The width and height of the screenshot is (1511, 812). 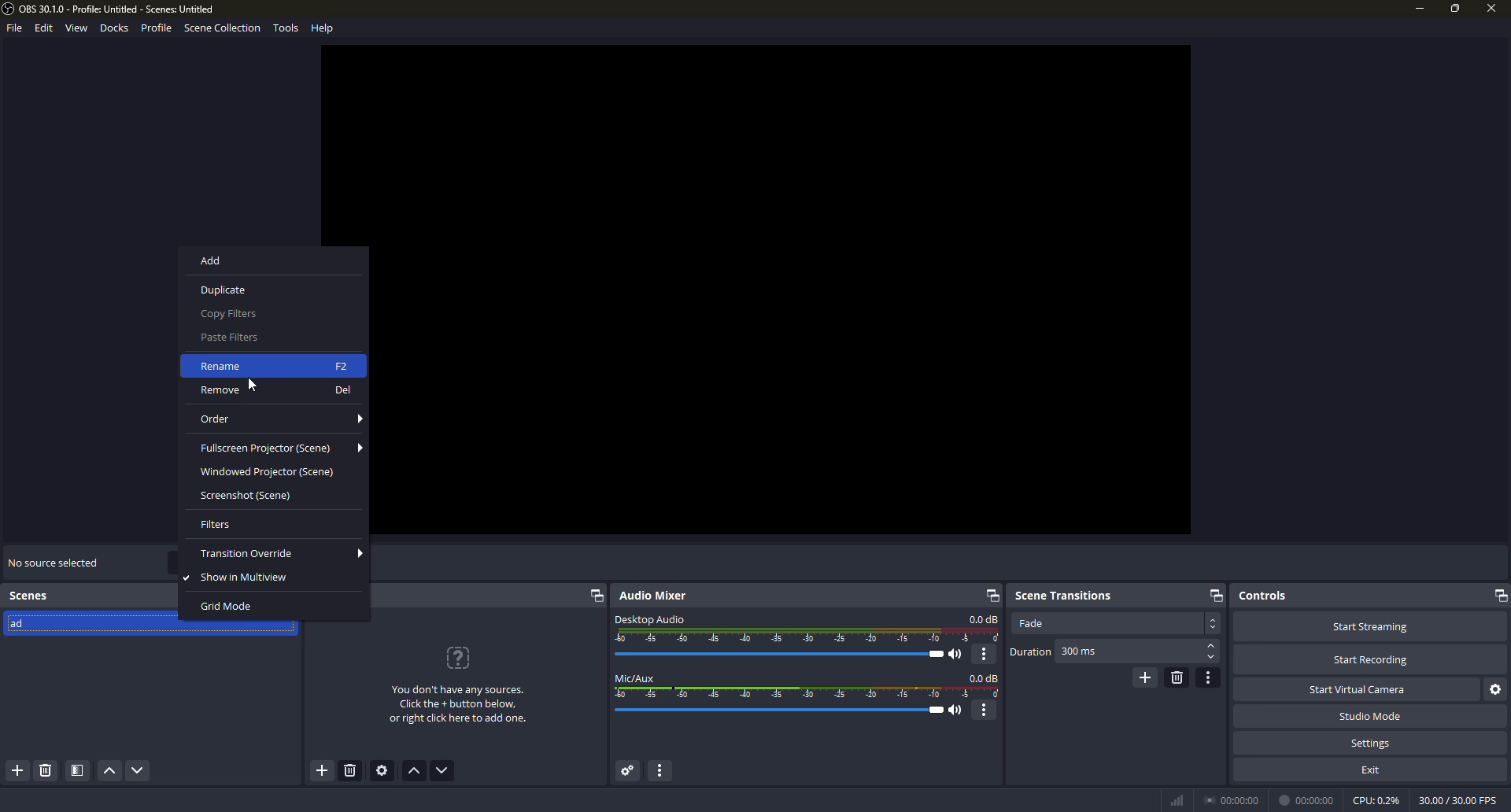 What do you see at coordinates (1030, 652) in the screenshot?
I see `duration` at bounding box center [1030, 652].